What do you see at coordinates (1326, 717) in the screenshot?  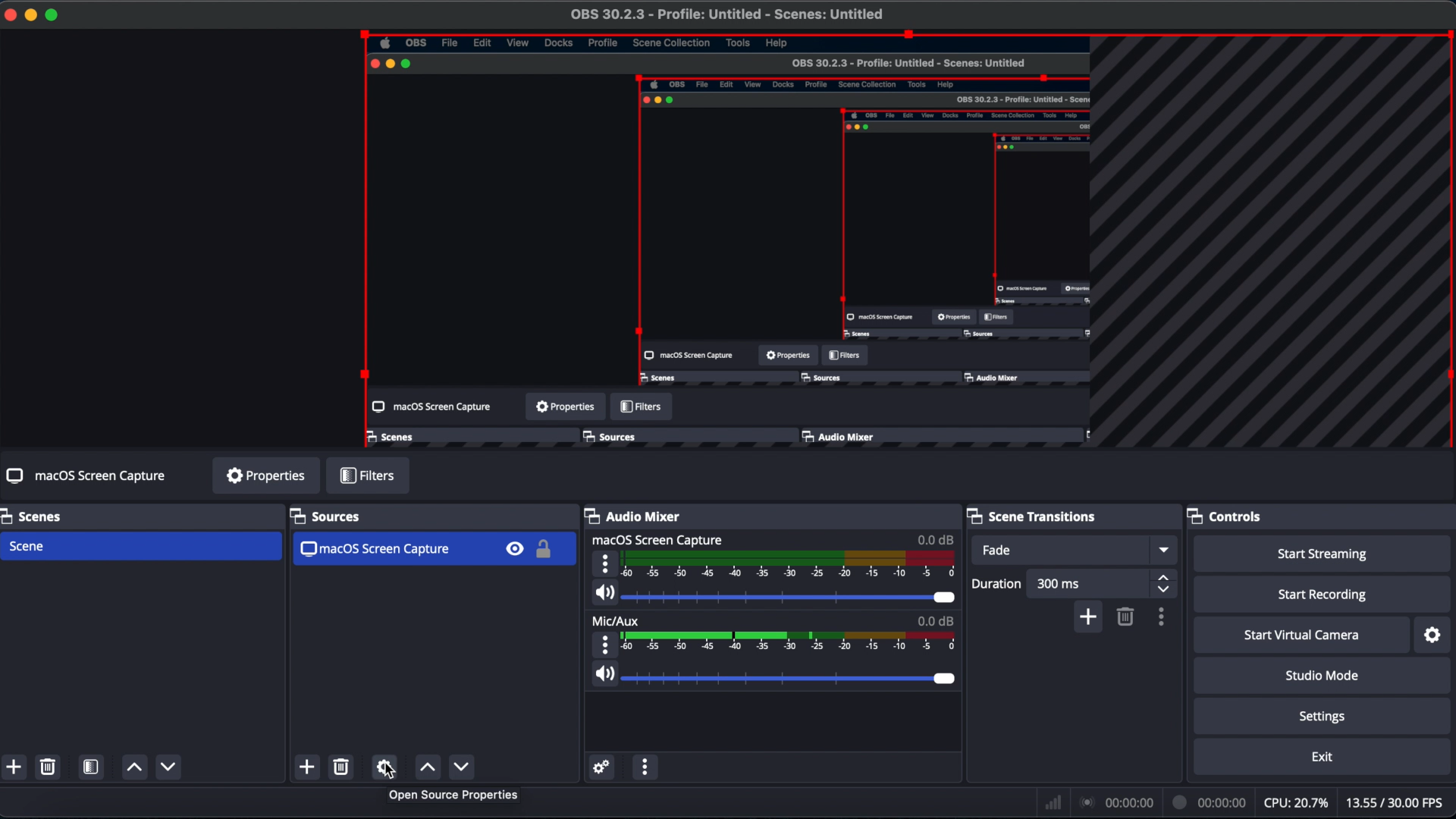 I see `settings` at bounding box center [1326, 717].